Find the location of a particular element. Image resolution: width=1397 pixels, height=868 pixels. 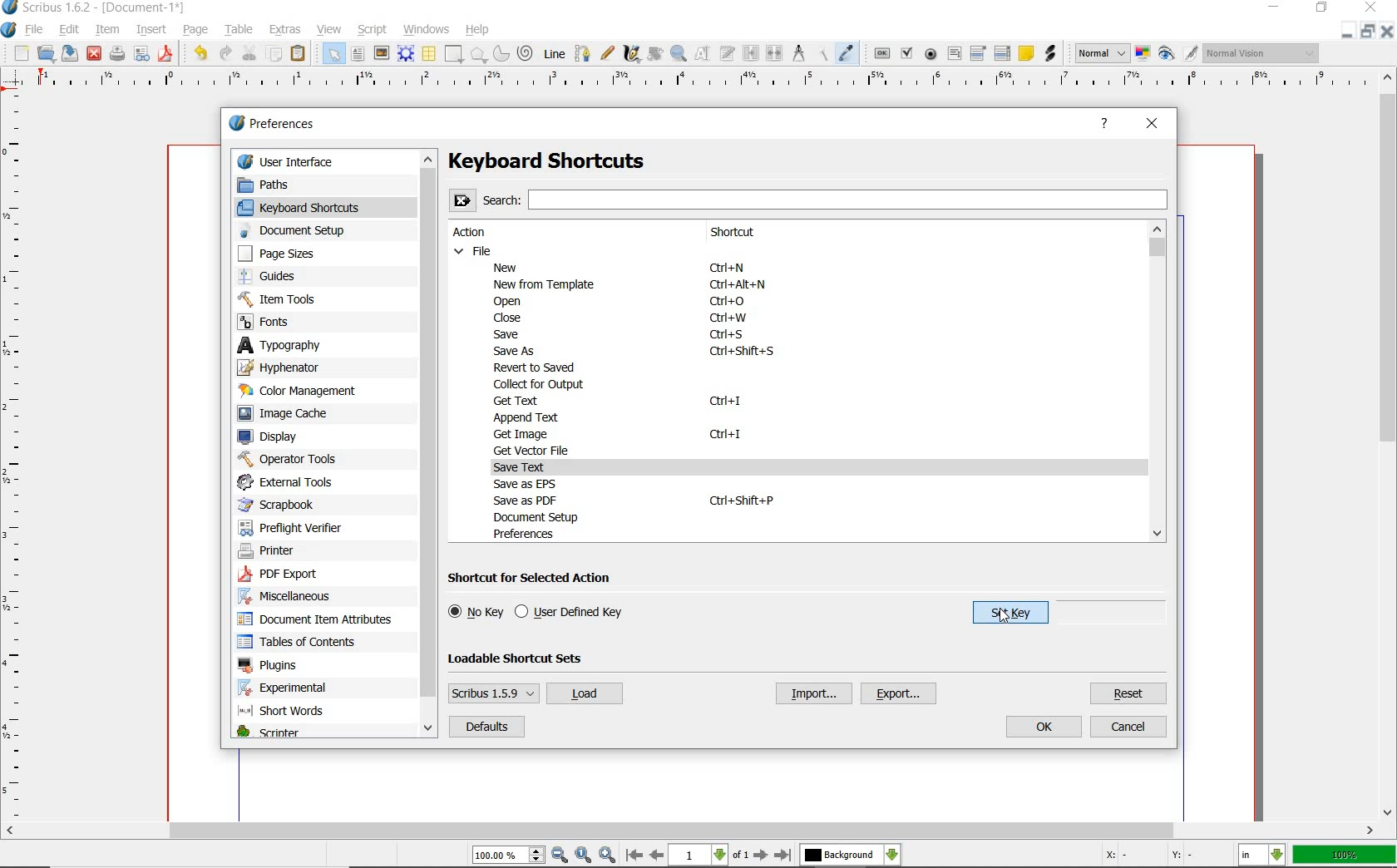

ruler is located at coordinates (699, 84).